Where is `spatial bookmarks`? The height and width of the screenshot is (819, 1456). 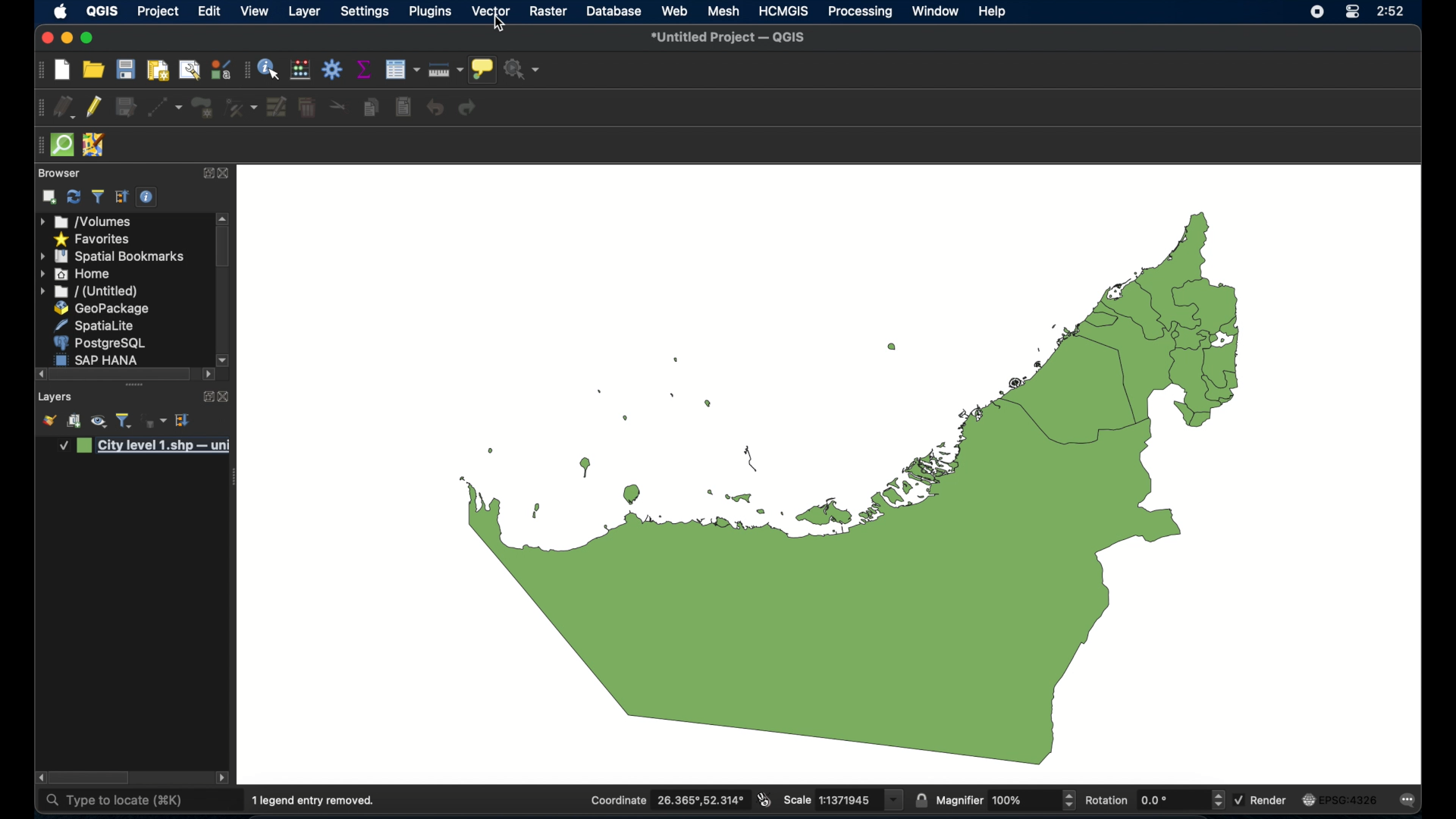 spatial bookmarks is located at coordinates (111, 257).